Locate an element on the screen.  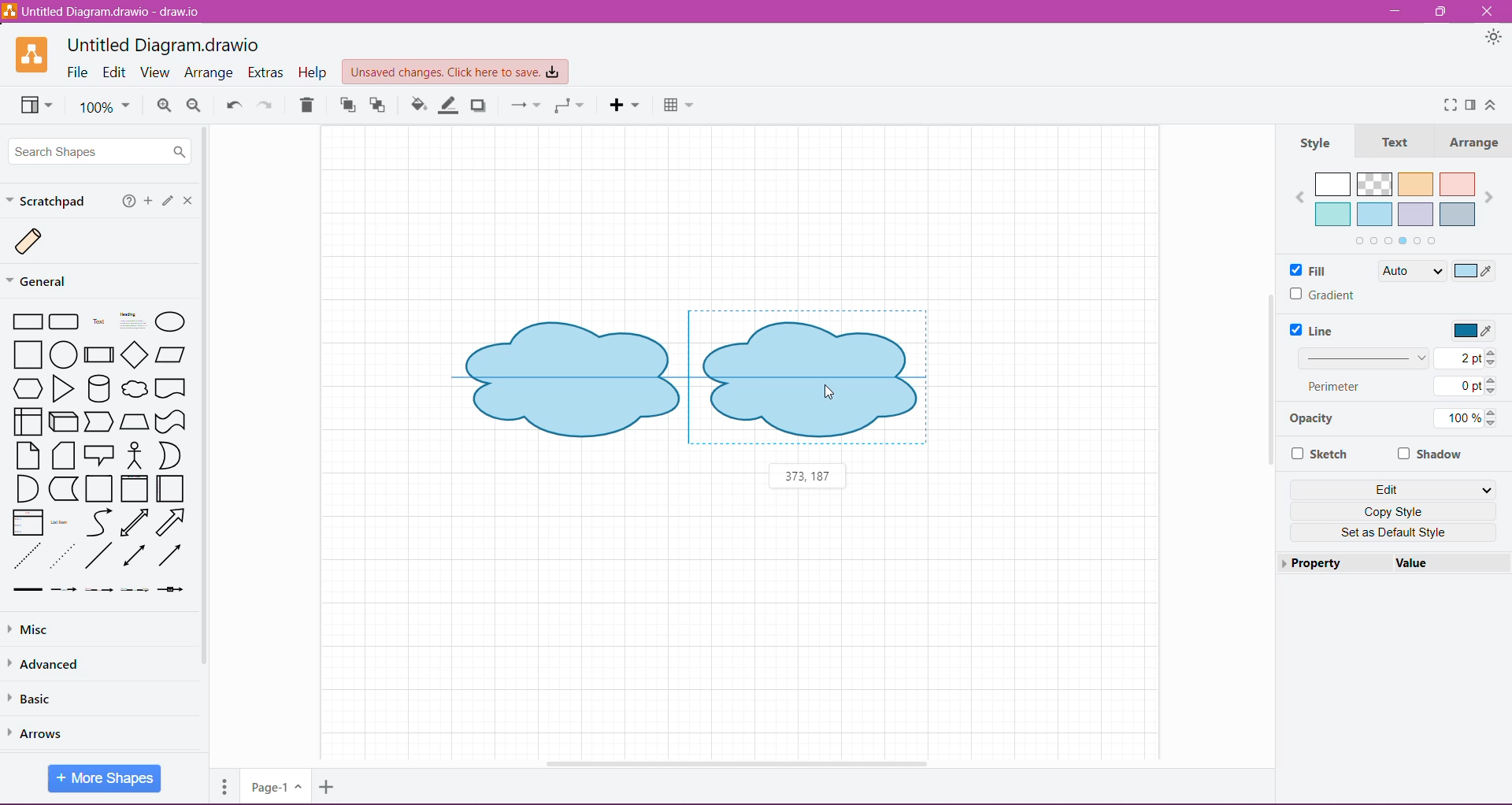
Fill color palette is located at coordinates (1395, 208).